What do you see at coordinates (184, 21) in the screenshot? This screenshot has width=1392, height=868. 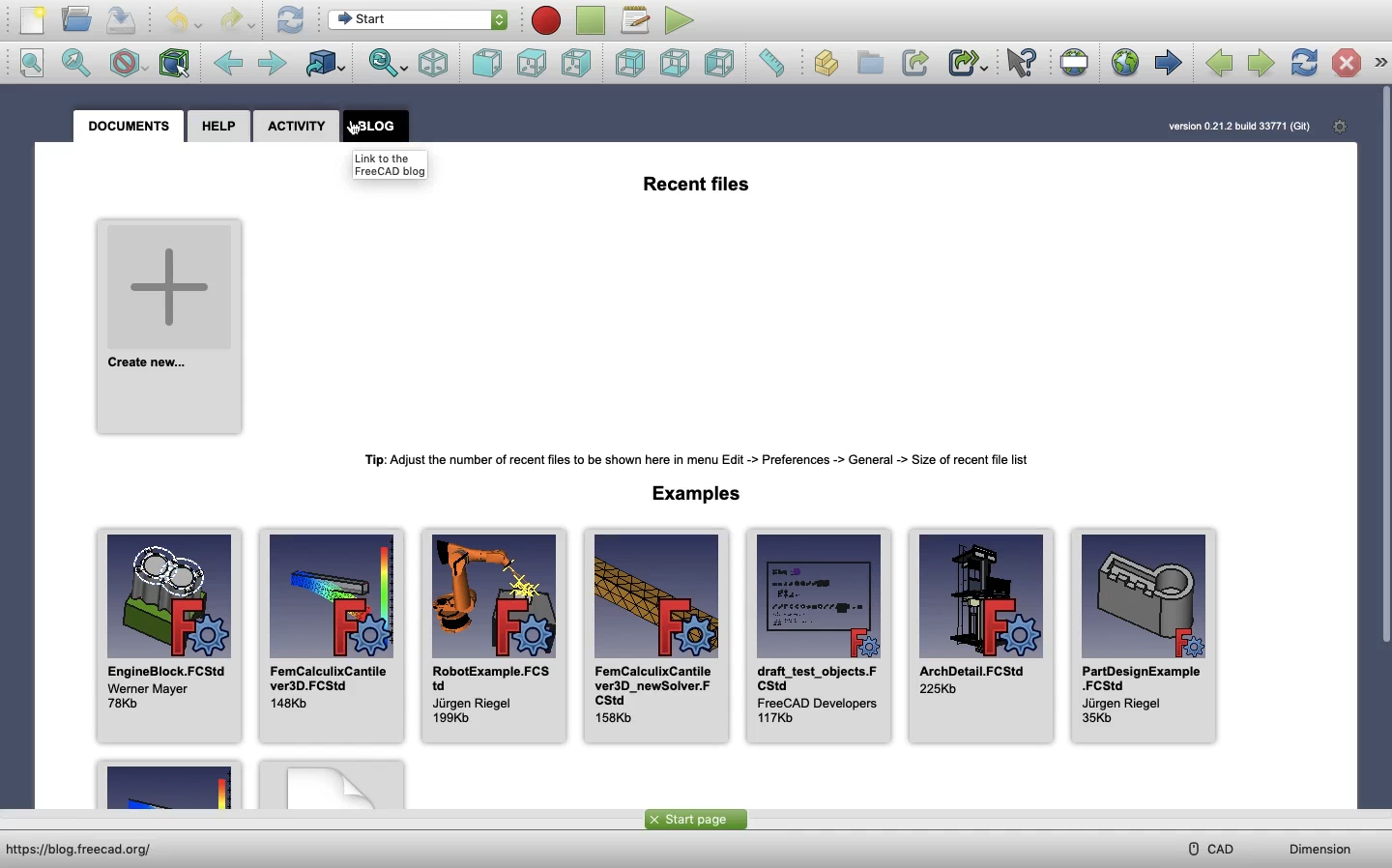 I see `Undo` at bounding box center [184, 21].